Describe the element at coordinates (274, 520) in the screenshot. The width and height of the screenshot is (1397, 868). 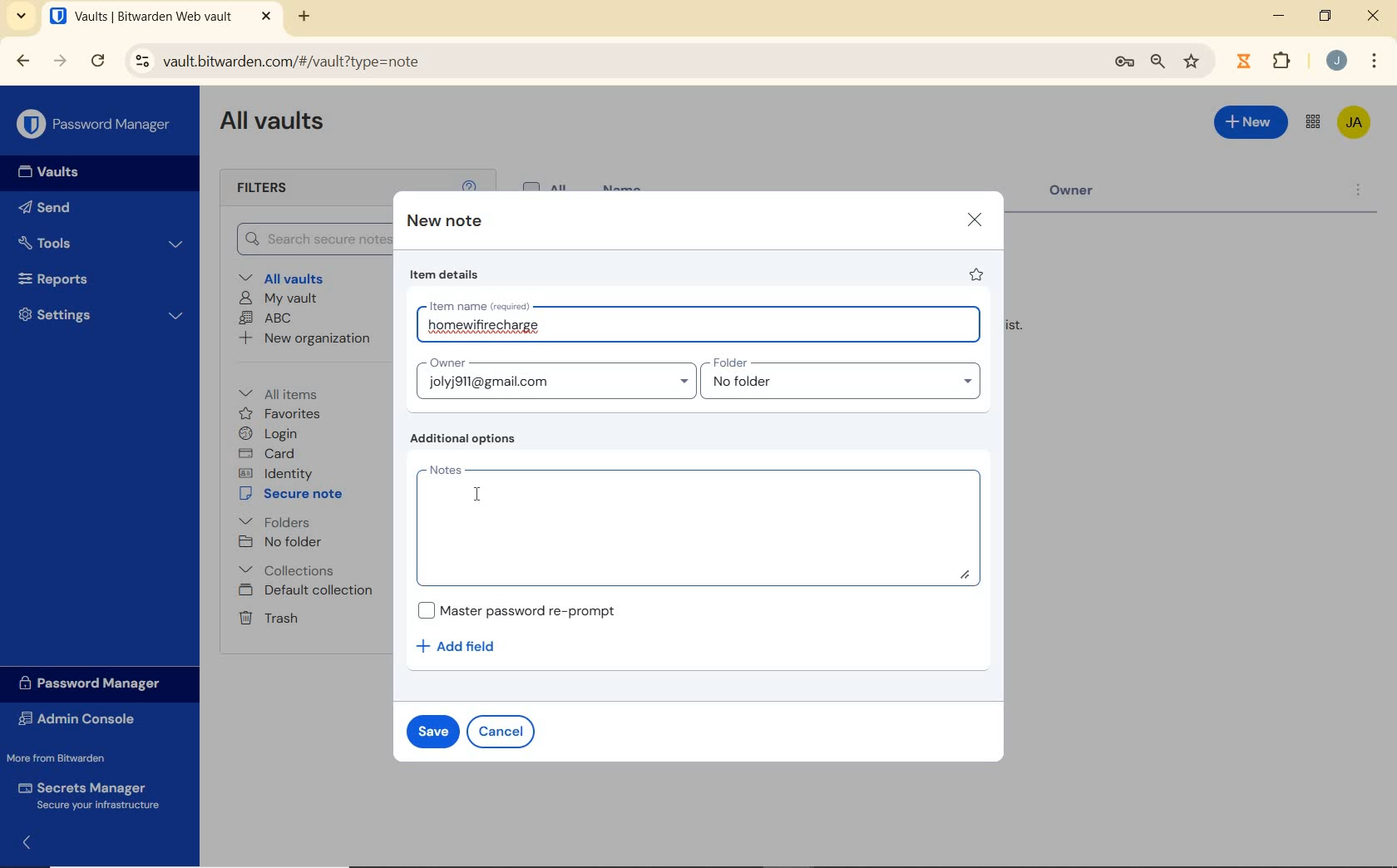
I see `folders` at that location.